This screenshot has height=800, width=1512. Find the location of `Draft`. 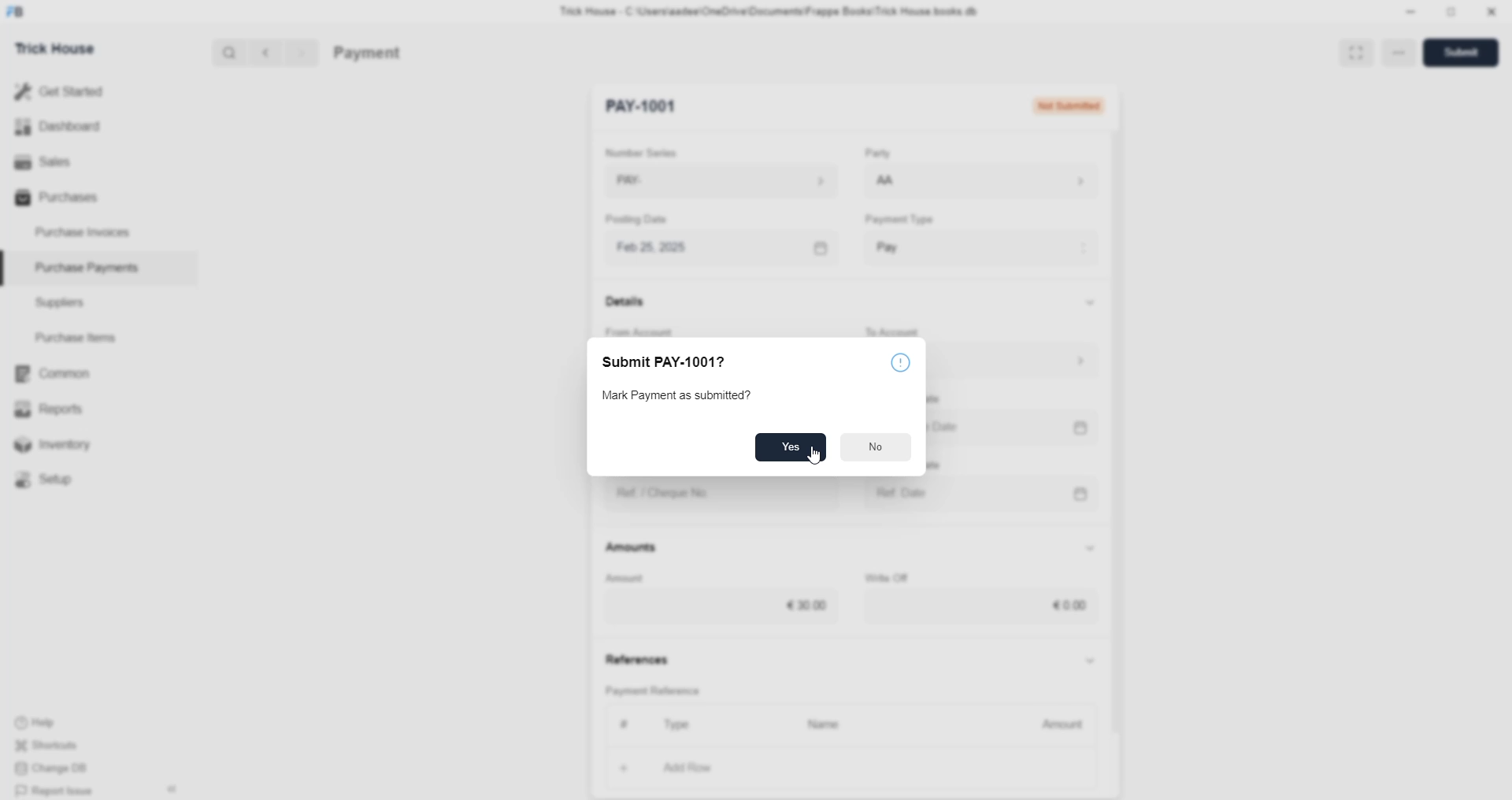

Draft is located at coordinates (1091, 107).